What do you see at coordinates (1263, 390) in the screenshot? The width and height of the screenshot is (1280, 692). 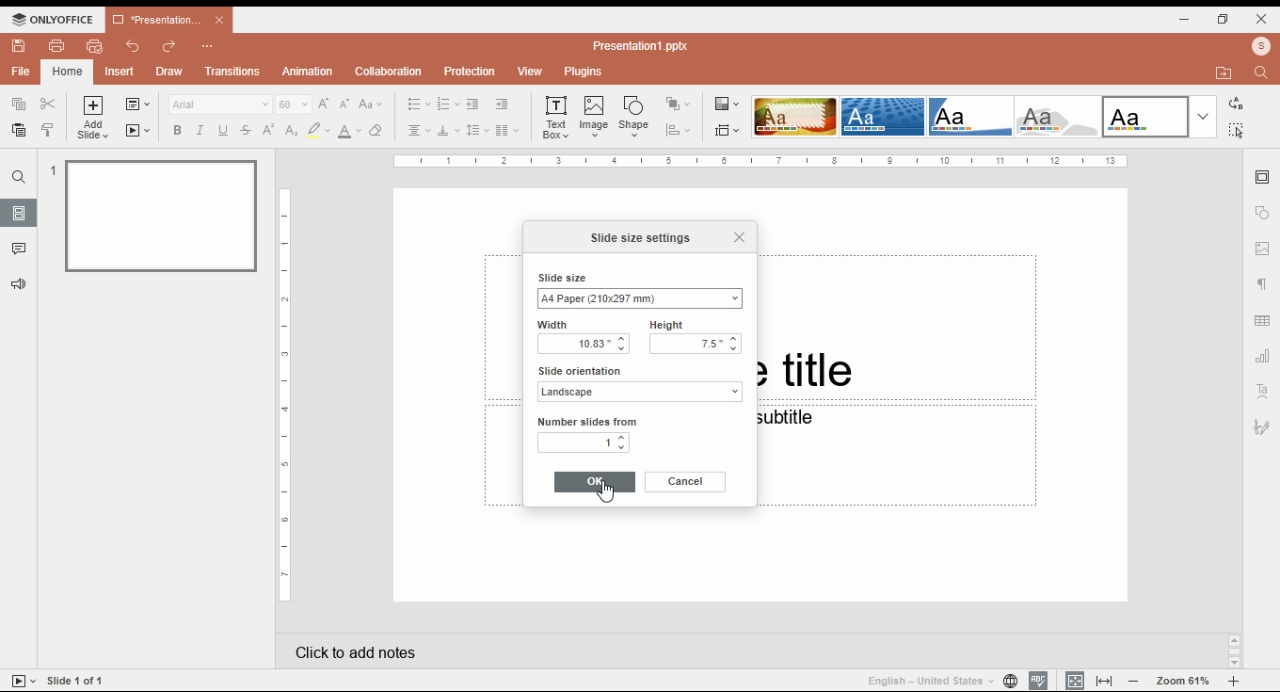 I see `text art settings` at bounding box center [1263, 390].